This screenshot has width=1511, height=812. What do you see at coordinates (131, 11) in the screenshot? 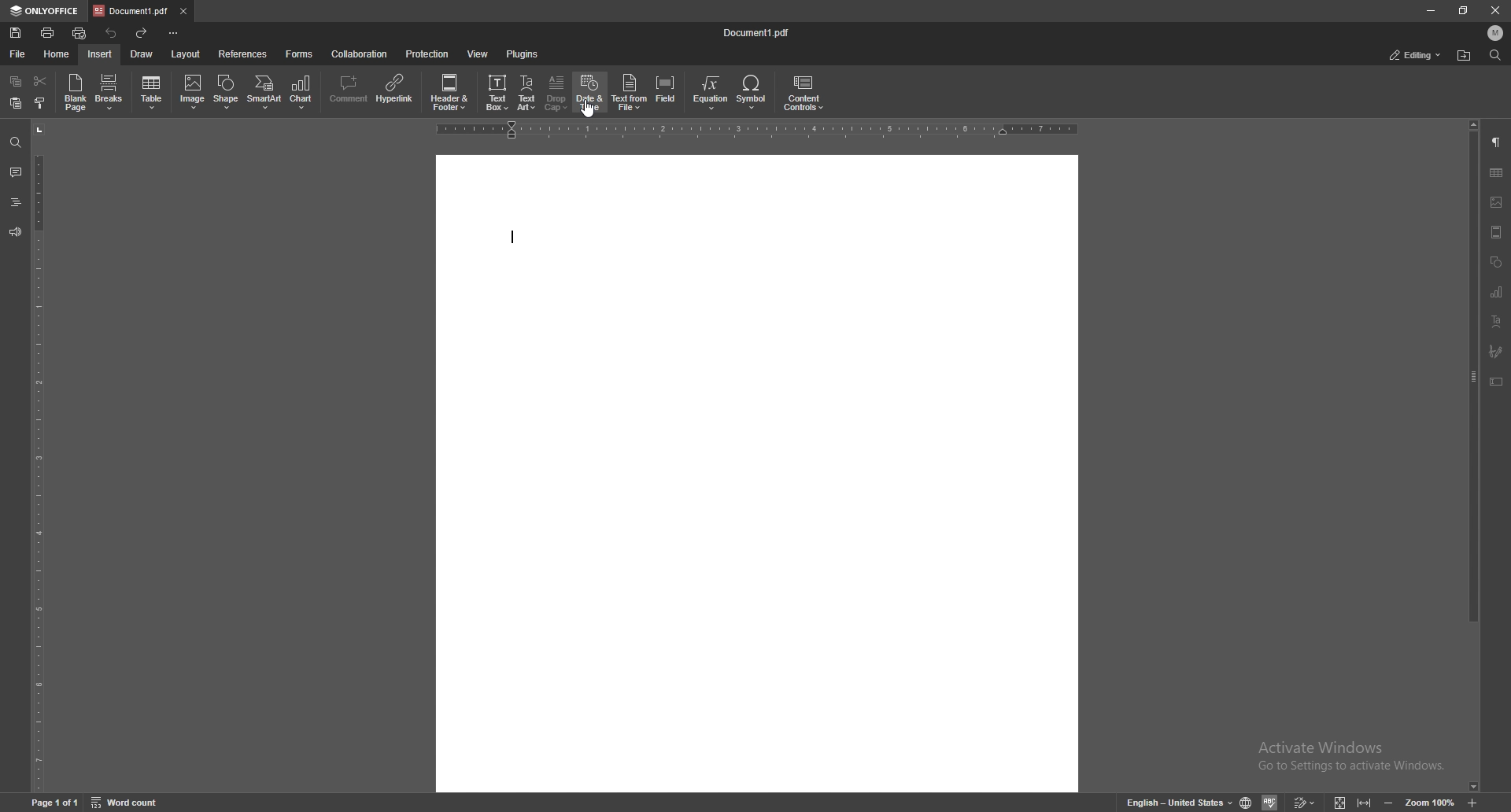
I see `tab` at bounding box center [131, 11].